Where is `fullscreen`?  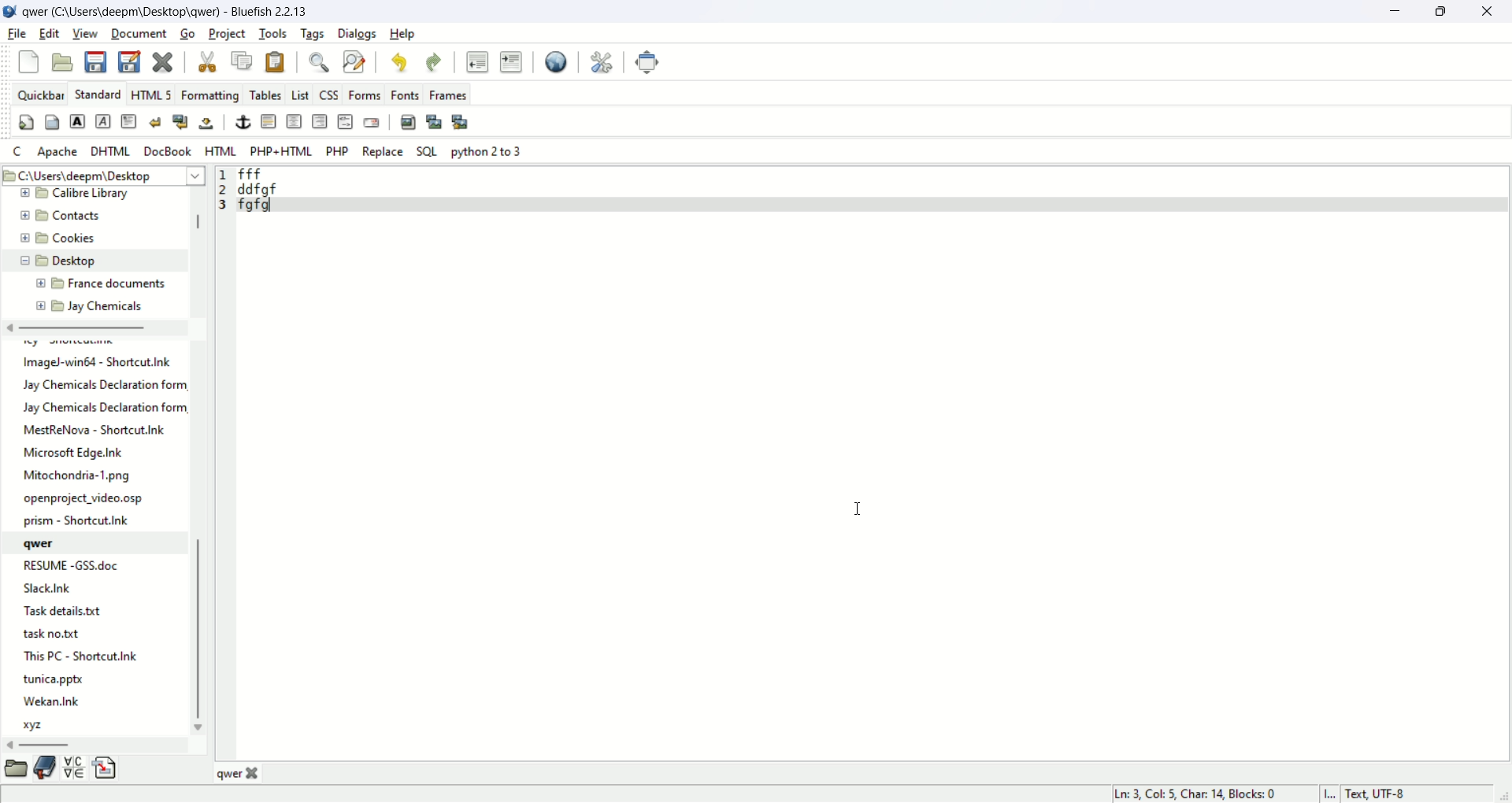 fullscreen is located at coordinates (647, 63).